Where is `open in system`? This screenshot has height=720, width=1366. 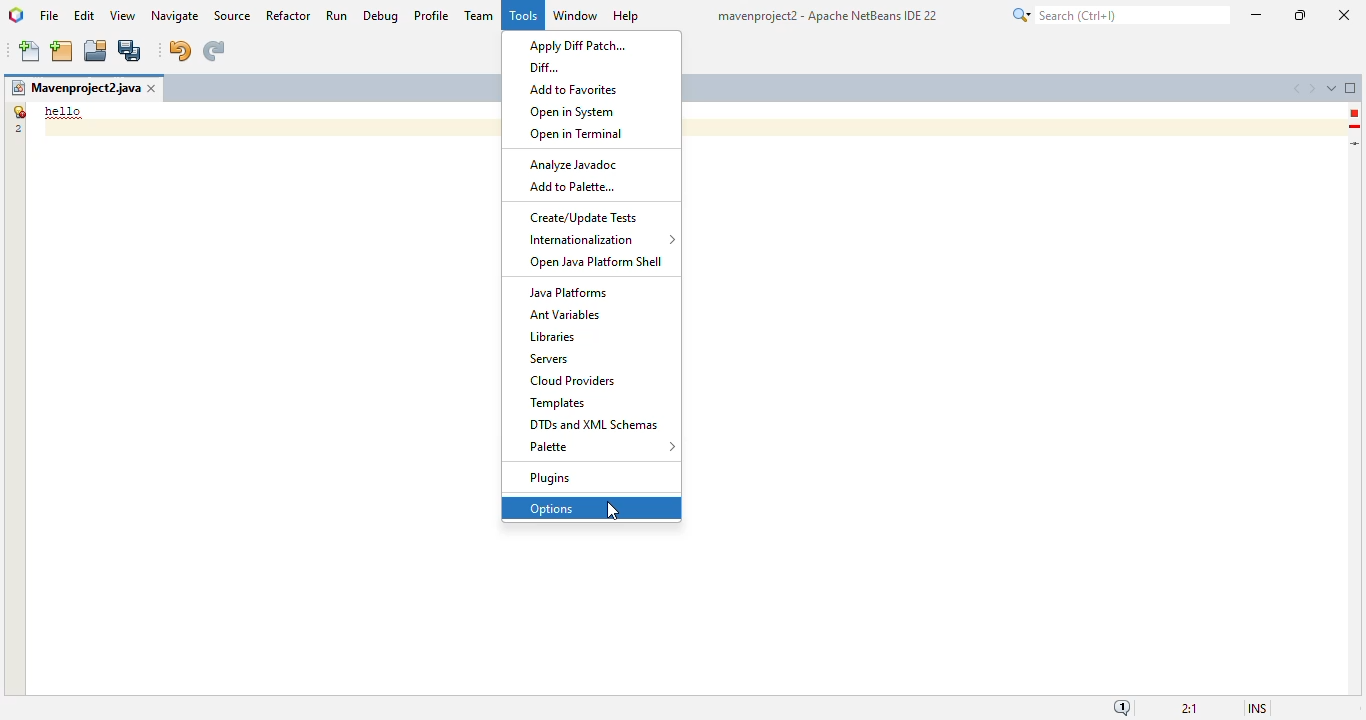 open in system is located at coordinates (573, 112).